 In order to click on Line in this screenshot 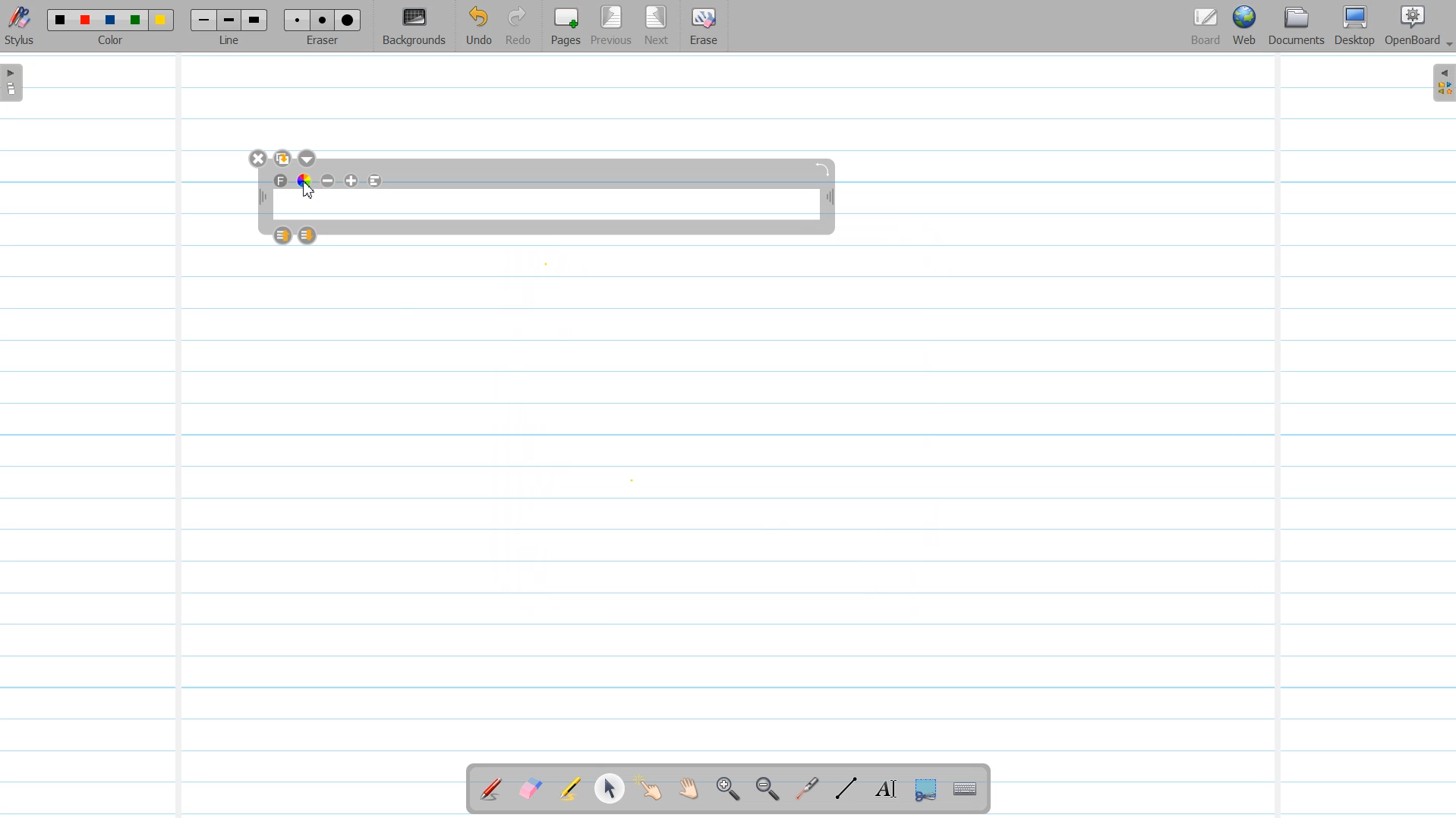, I will do `click(231, 26)`.